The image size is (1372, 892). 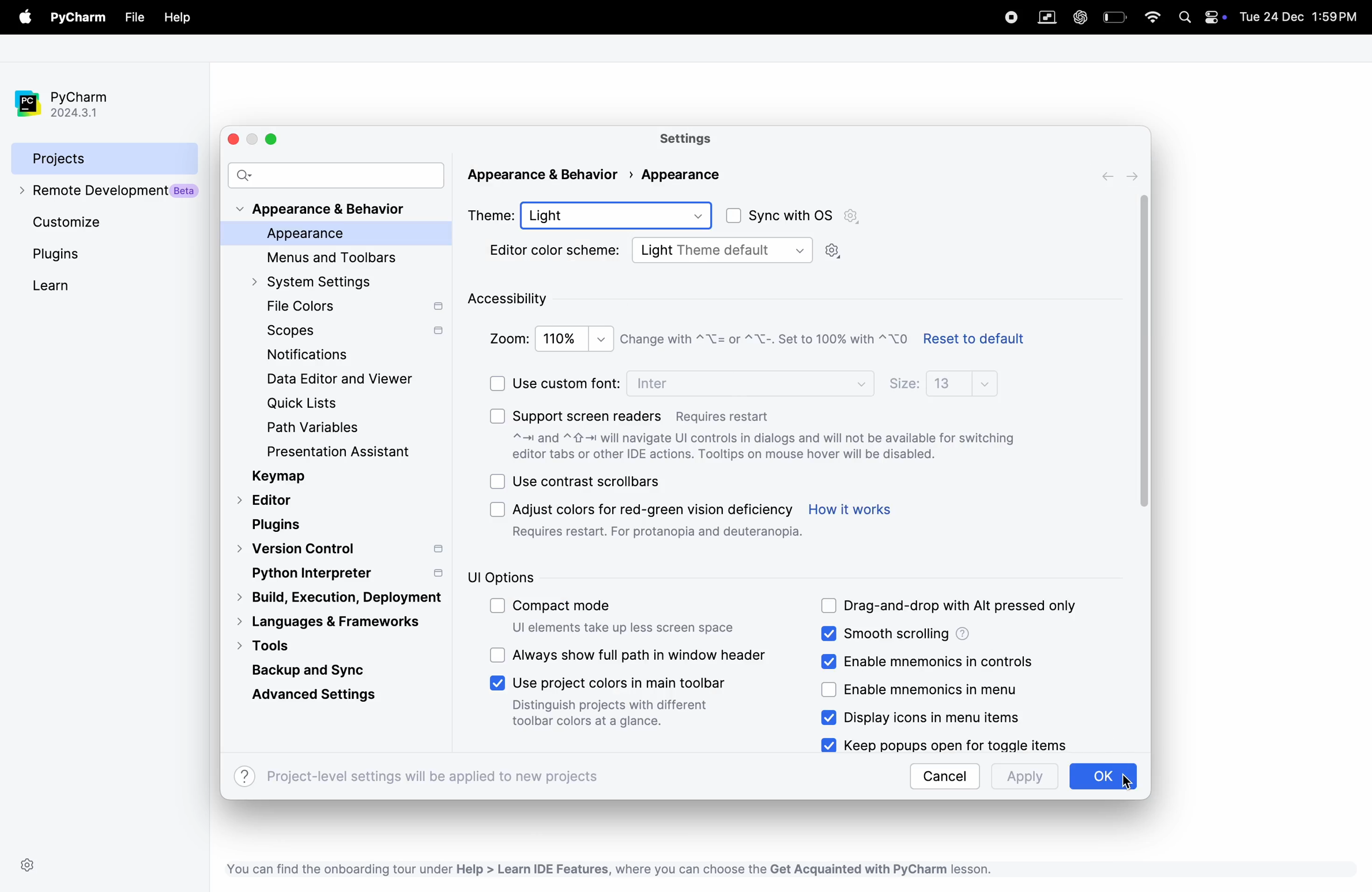 I want to click on projects, so click(x=89, y=158).